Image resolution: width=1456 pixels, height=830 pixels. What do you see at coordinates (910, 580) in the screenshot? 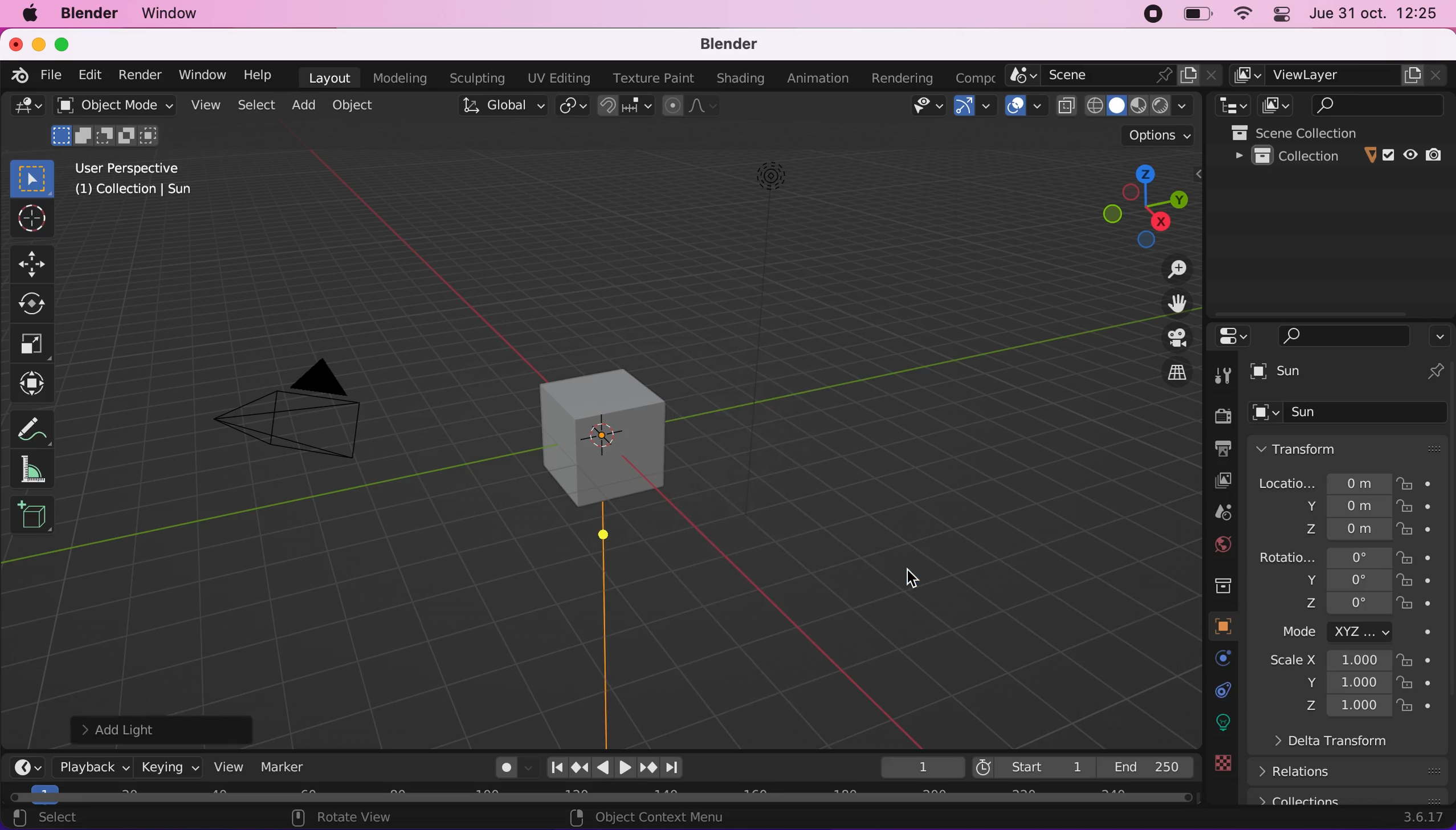
I see `cursor` at bounding box center [910, 580].